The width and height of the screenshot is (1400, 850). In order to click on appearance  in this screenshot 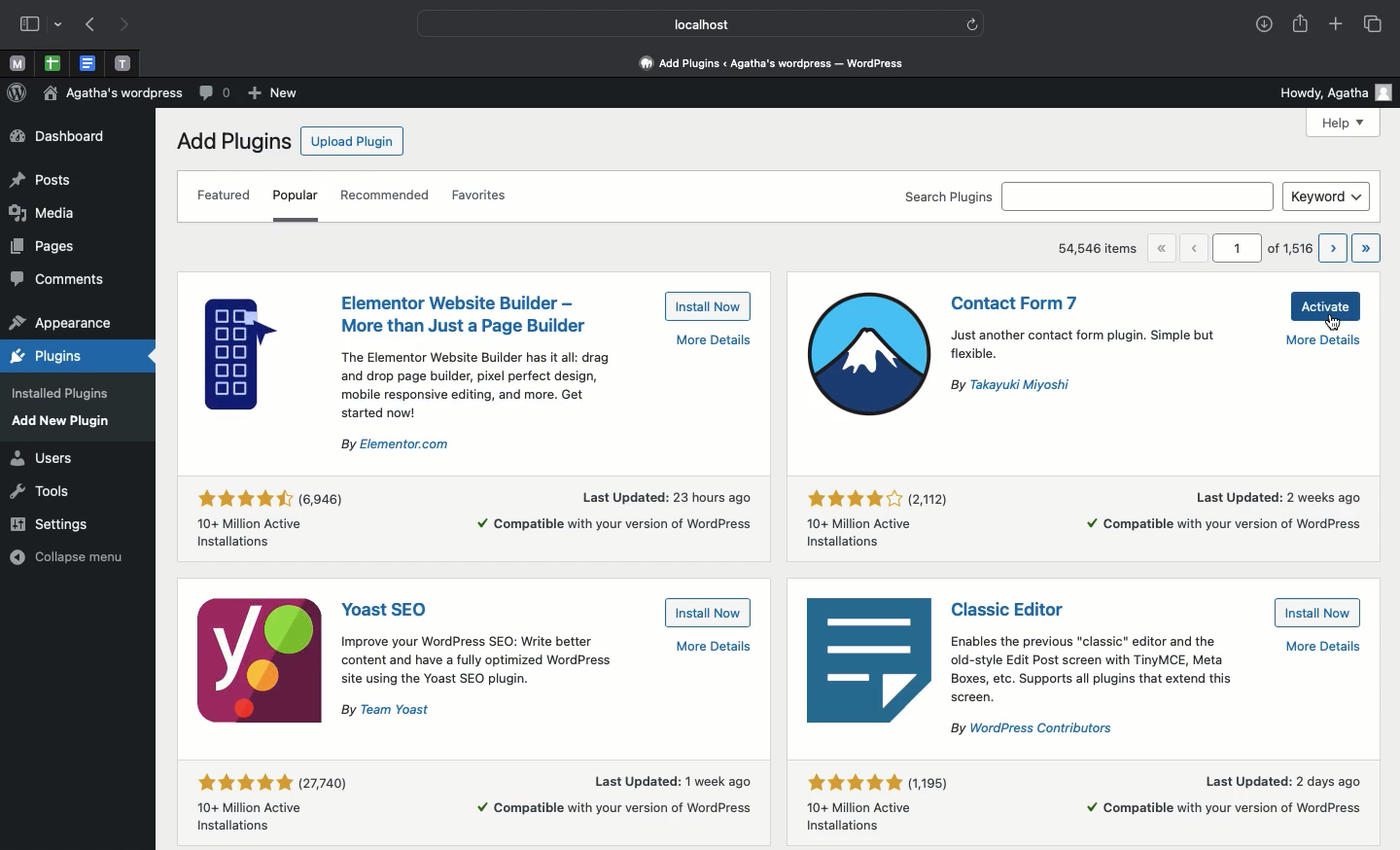, I will do `click(60, 325)`.